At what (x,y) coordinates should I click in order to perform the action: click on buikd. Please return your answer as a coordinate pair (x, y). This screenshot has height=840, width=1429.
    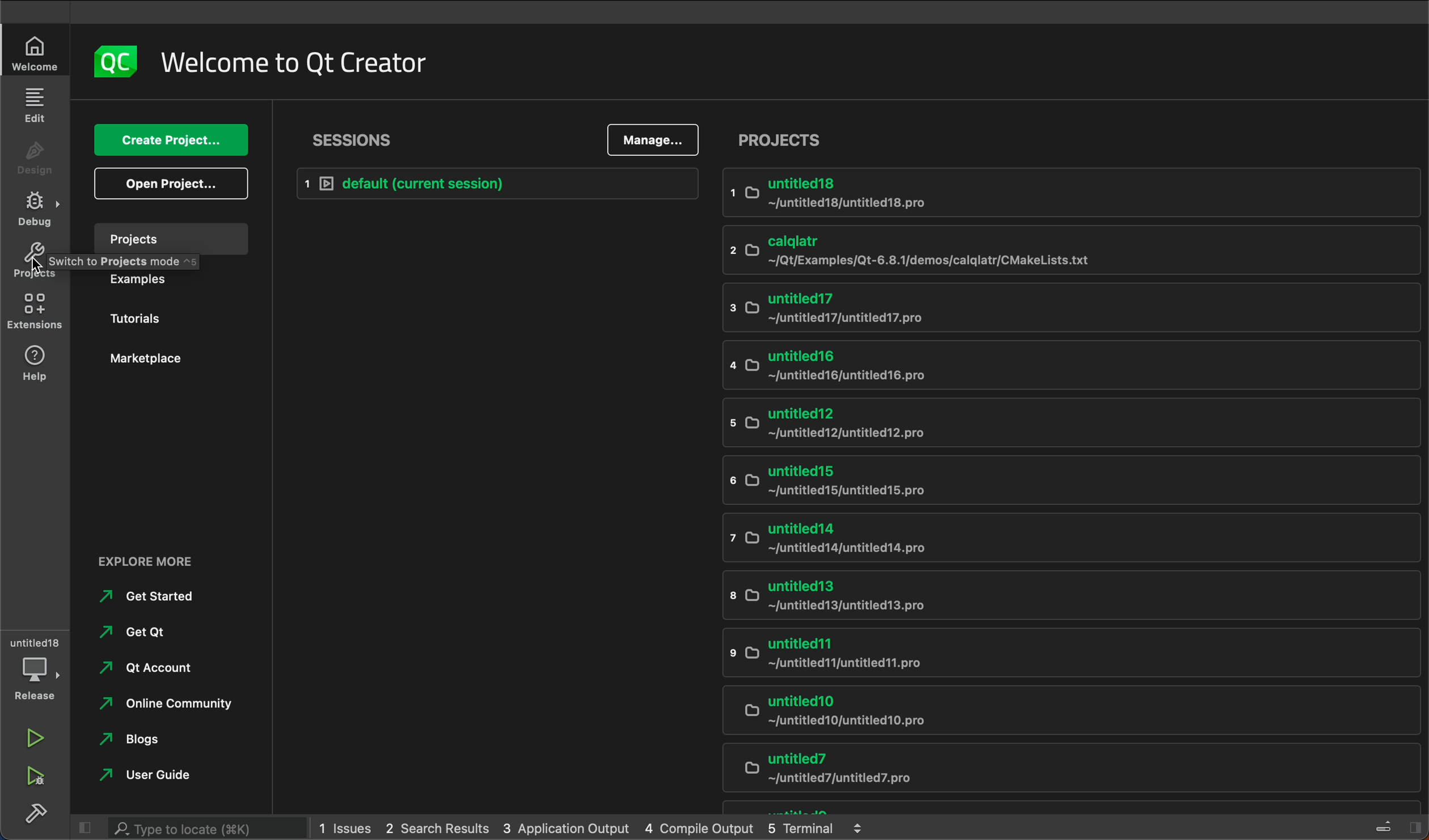
    Looking at the image, I should click on (36, 813).